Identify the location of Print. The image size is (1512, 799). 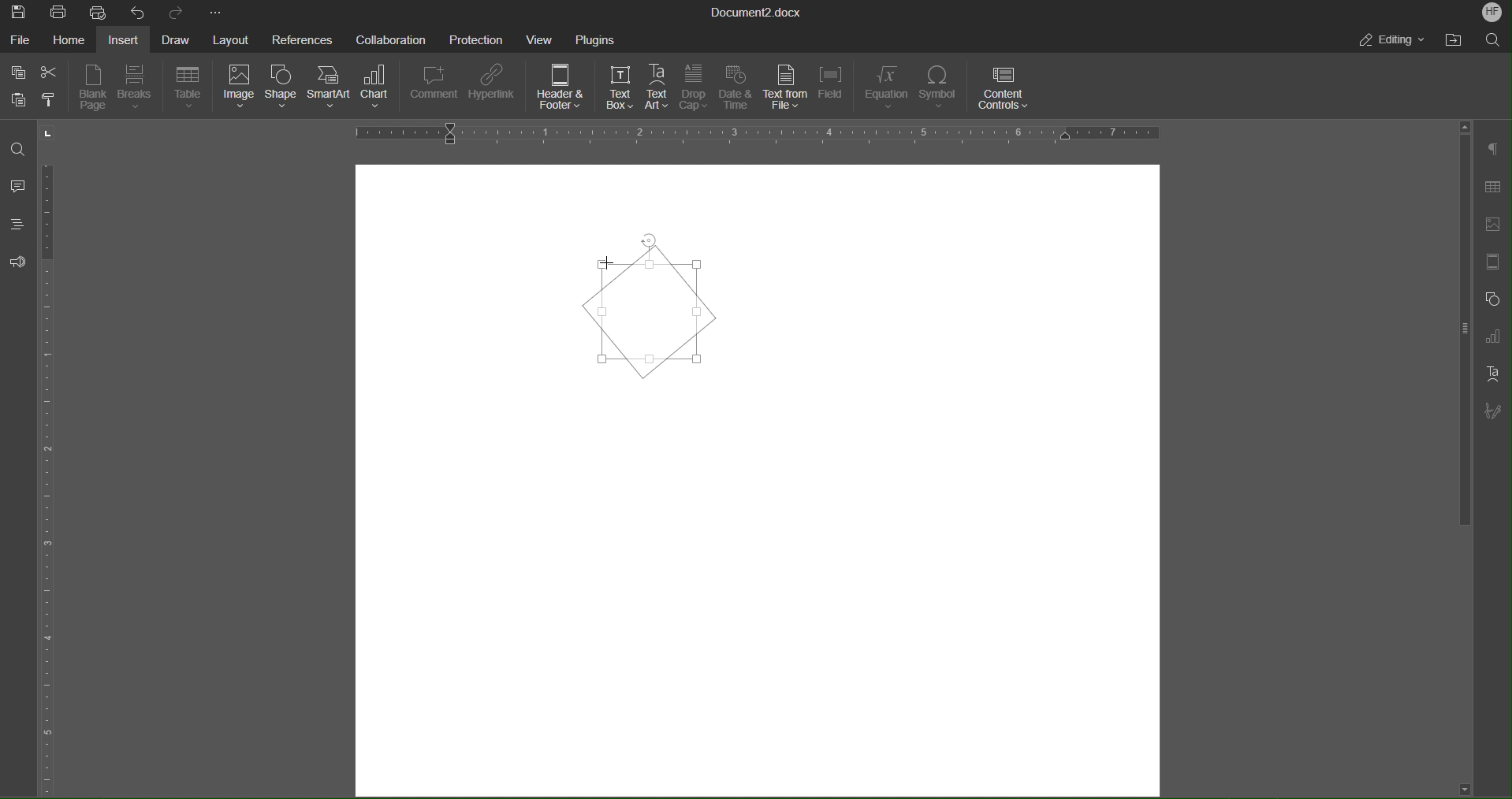
(60, 11).